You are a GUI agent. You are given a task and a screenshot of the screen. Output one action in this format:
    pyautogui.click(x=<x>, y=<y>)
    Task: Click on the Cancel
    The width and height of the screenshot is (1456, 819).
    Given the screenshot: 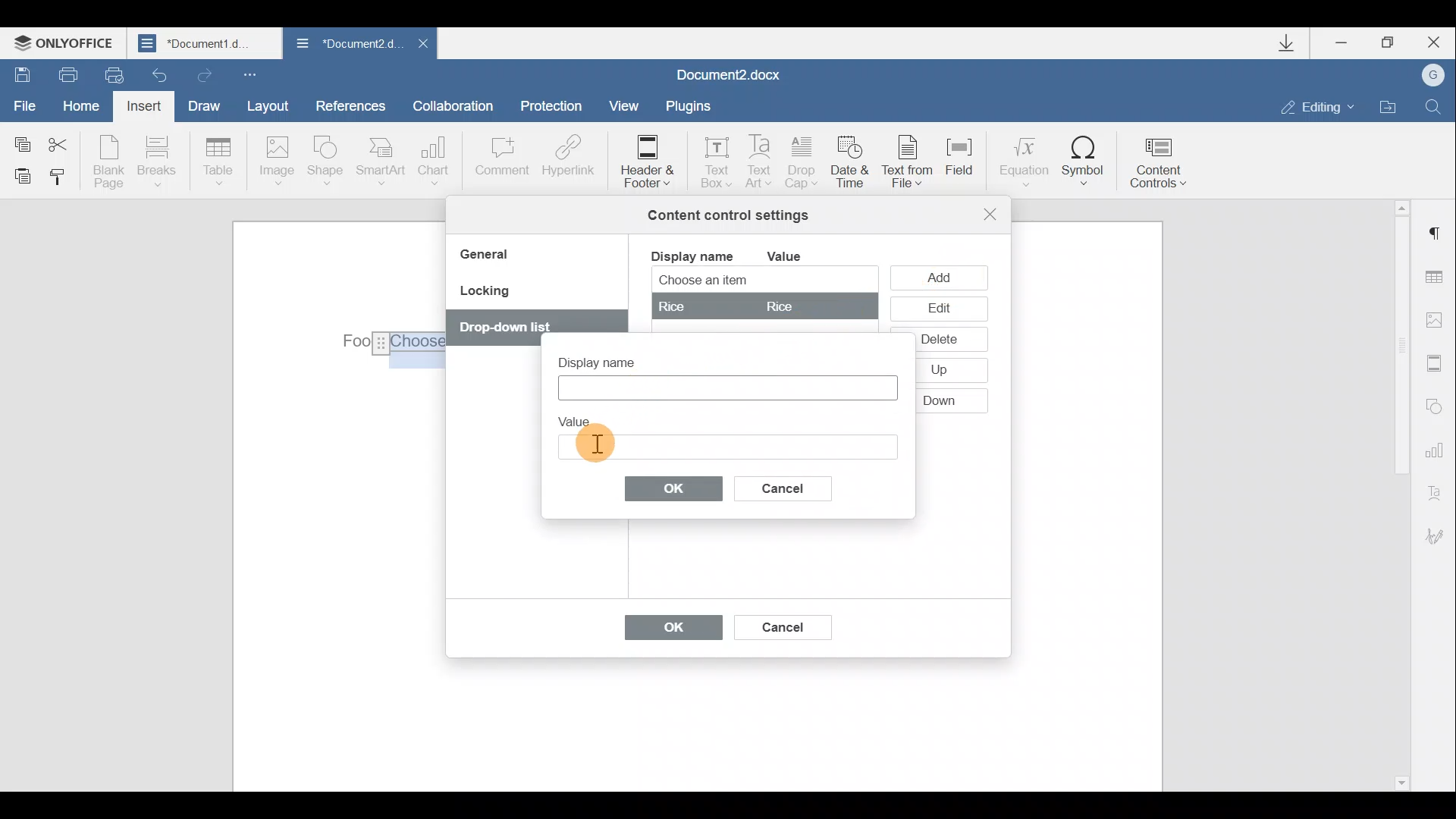 What is the action you would take?
    pyautogui.click(x=795, y=485)
    